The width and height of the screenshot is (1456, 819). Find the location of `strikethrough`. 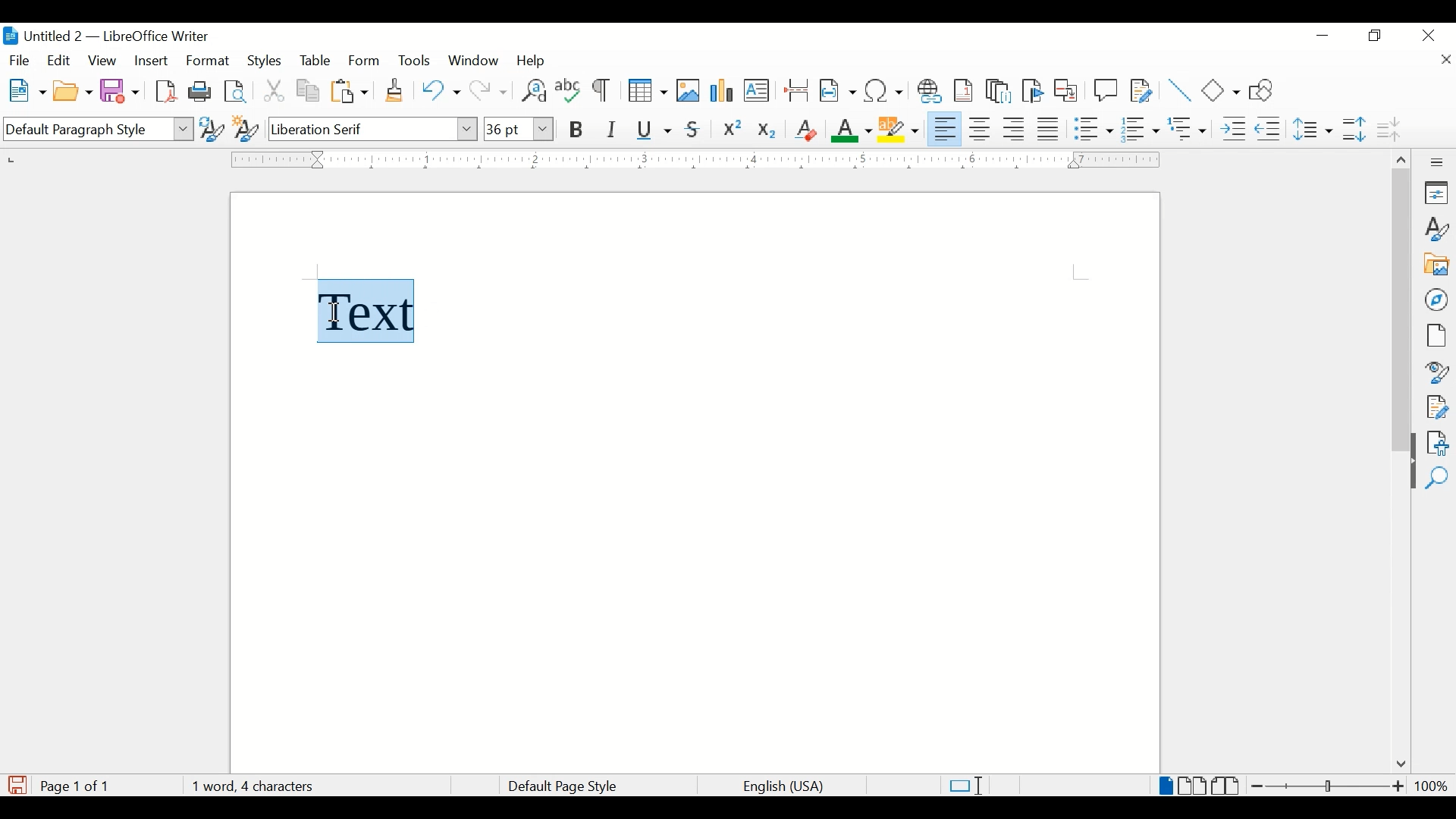

strikethrough is located at coordinates (693, 130).